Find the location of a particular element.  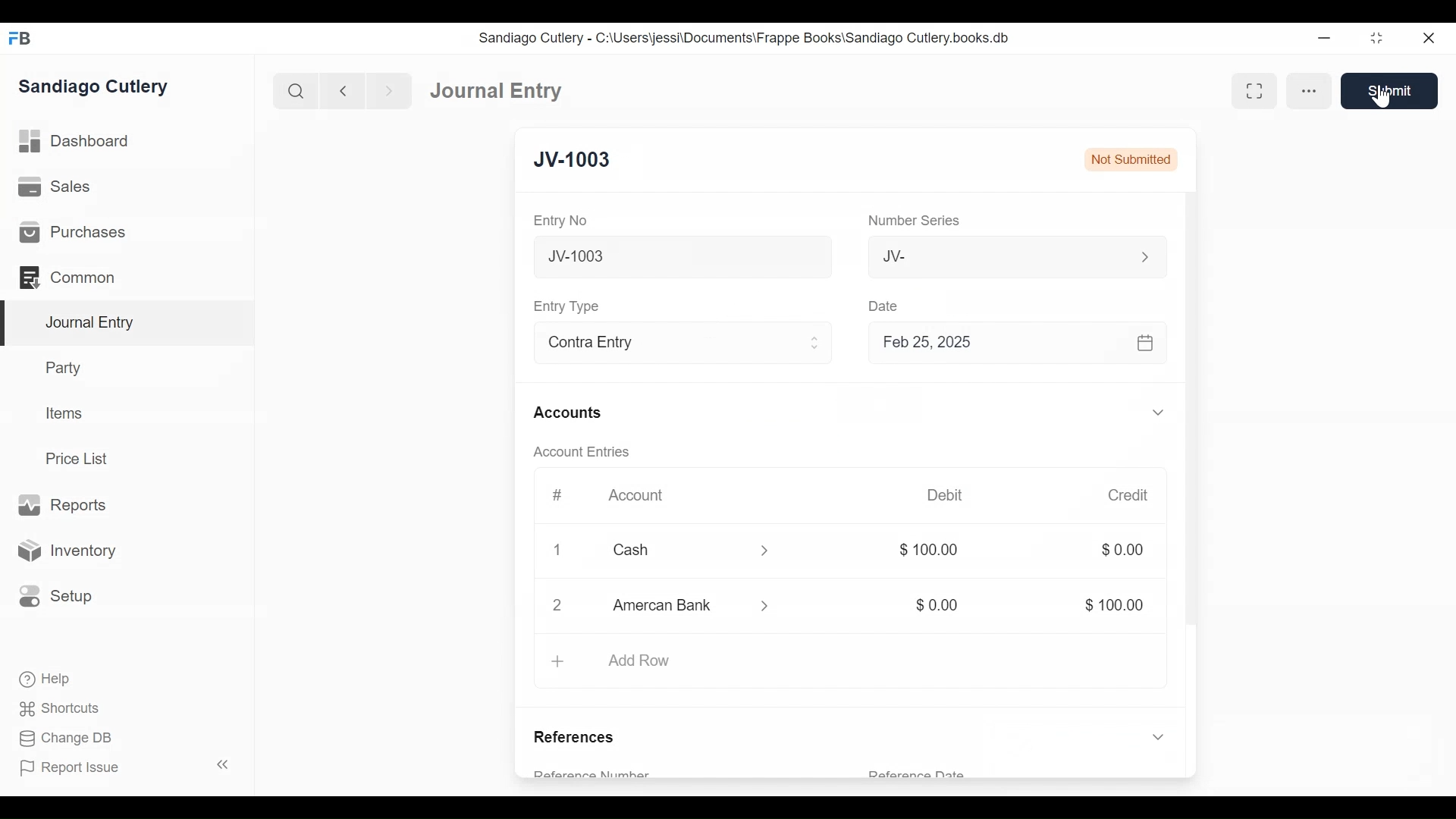

Expand is located at coordinates (1144, 256).